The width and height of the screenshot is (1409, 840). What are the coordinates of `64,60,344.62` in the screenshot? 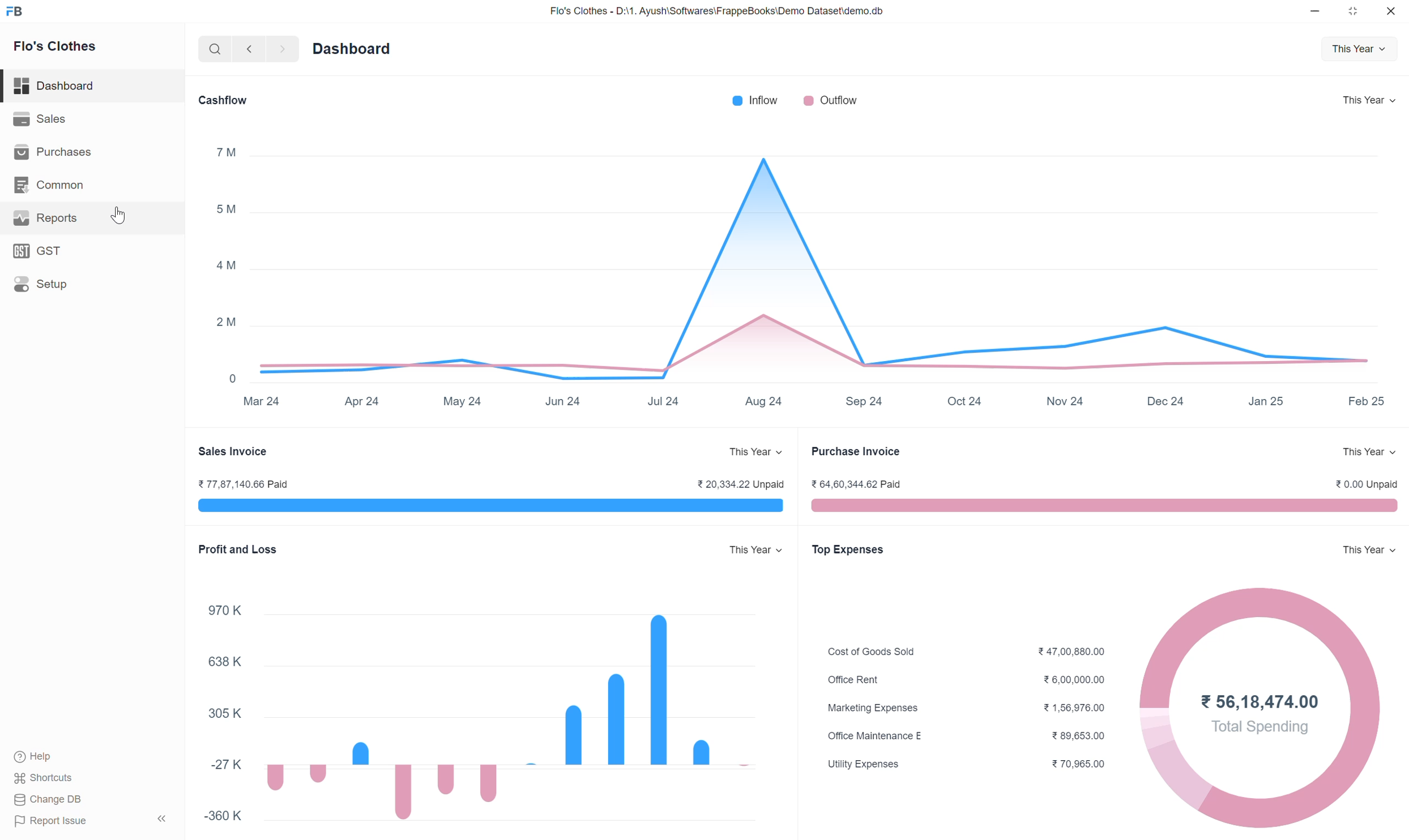 It's located at (855, 483).